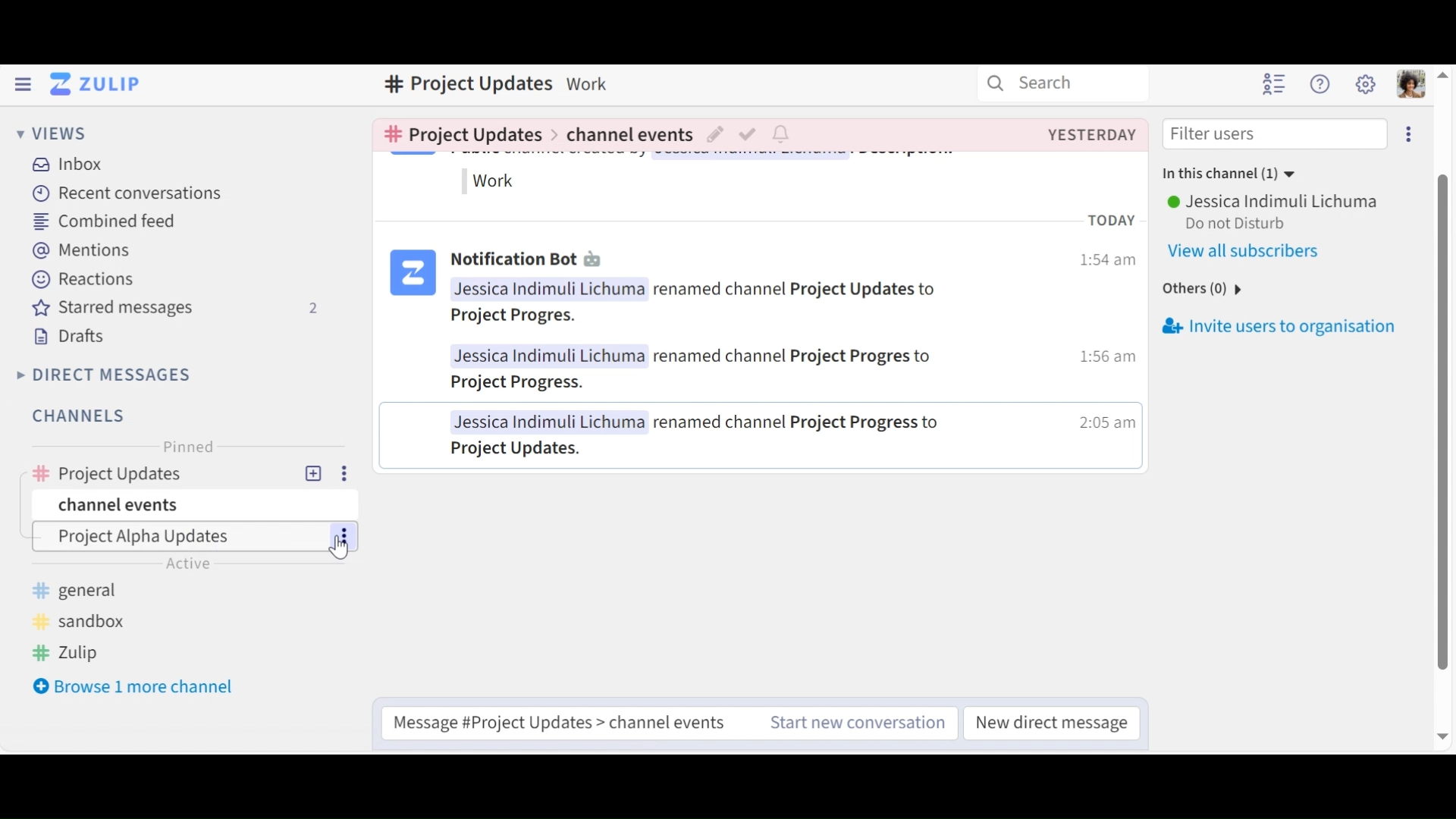  Describe the element at coordinates (86, 589) in the screenshot. I see `general` at that location.